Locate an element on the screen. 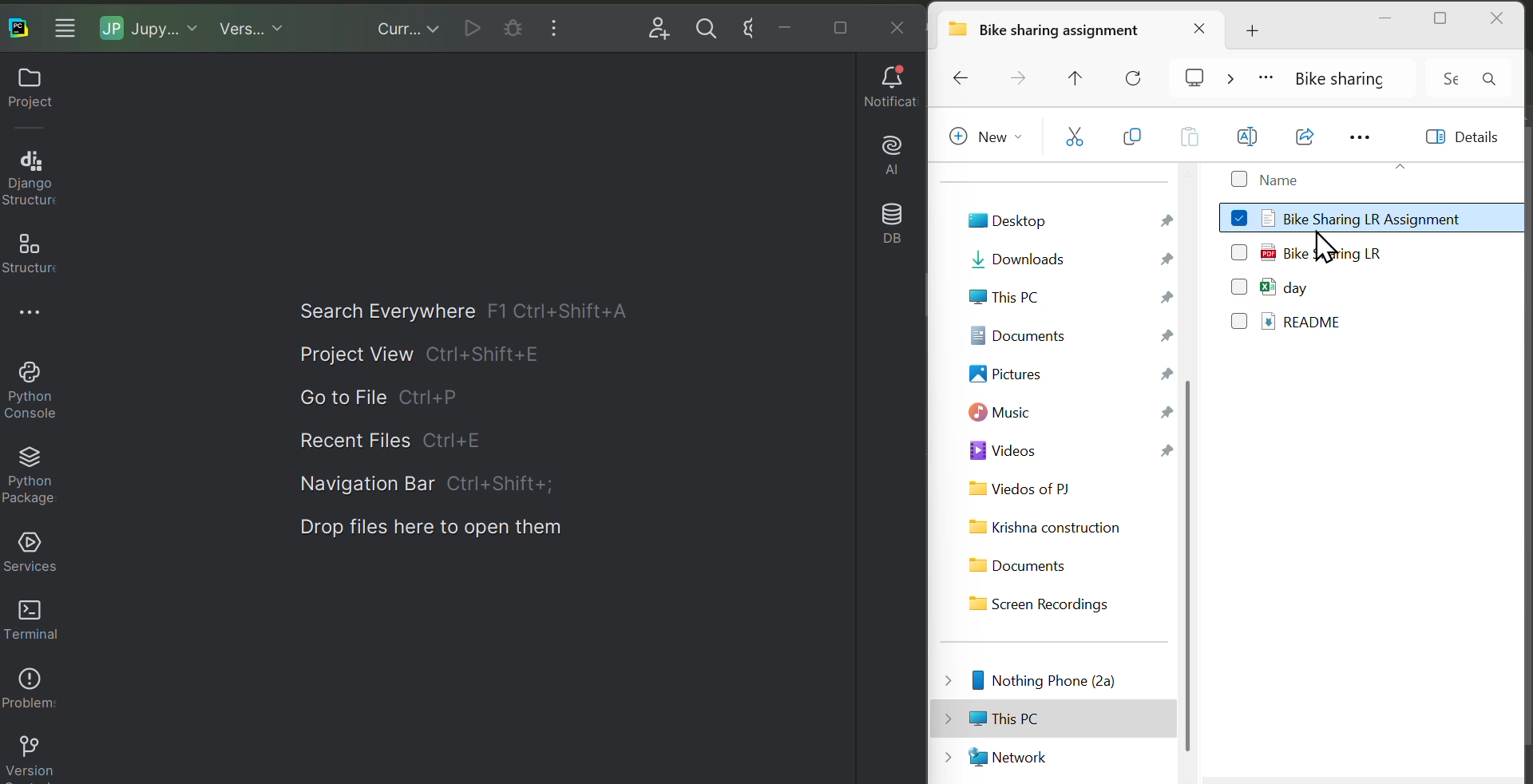  Details is located at coordinates (1472, 141).